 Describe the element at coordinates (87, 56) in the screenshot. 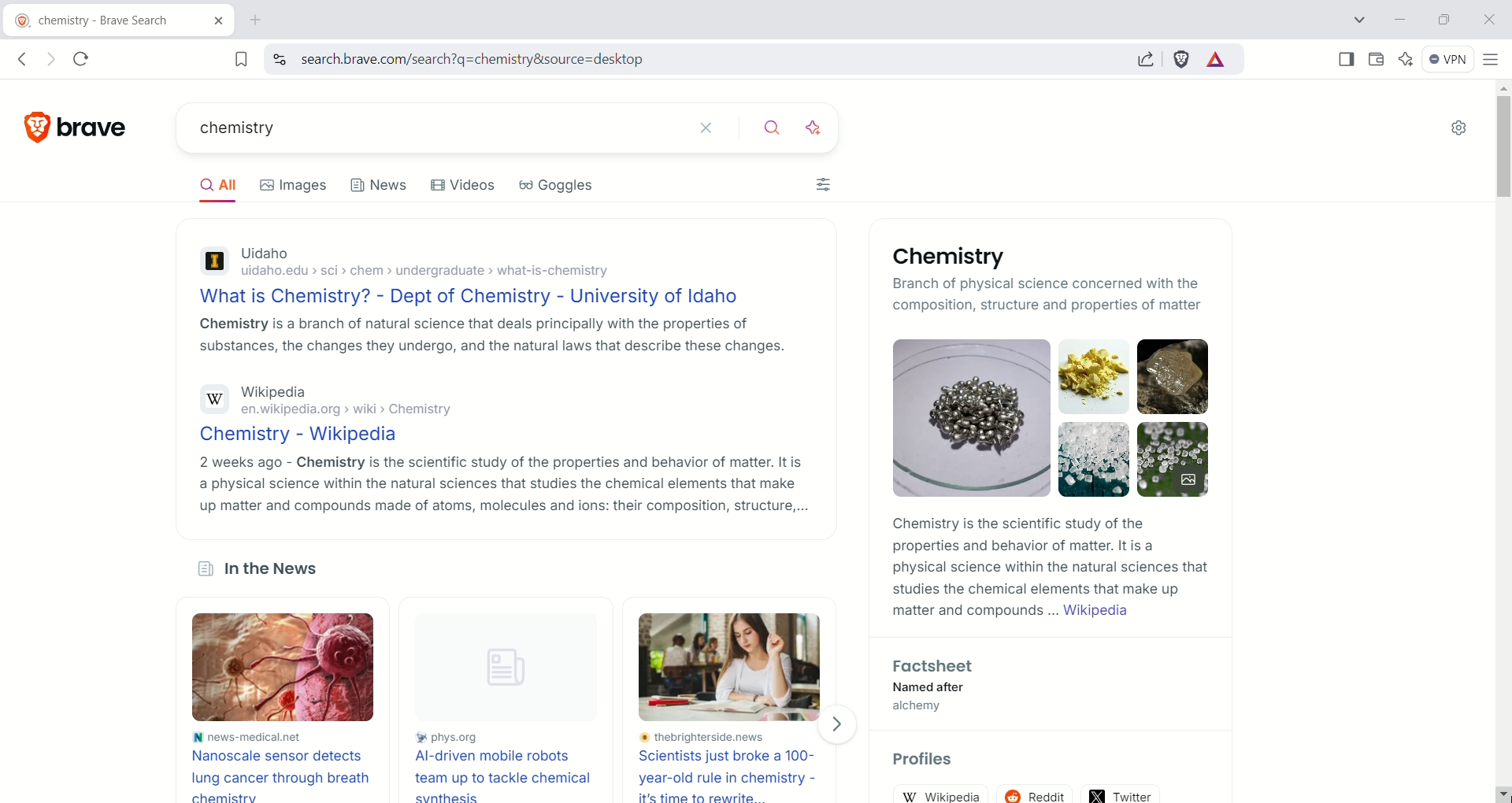

I see `reload` at that location.